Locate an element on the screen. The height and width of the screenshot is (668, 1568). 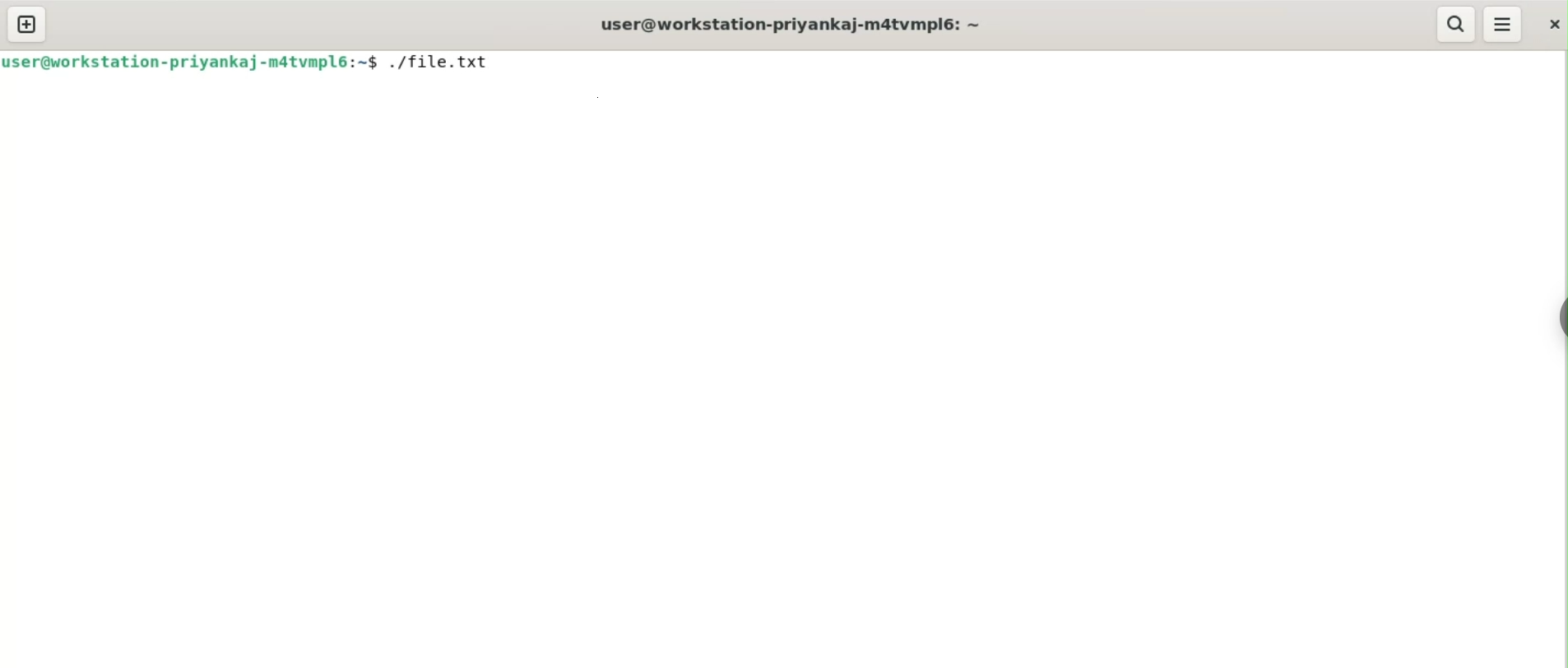
sidebar is located at coordinates (1560, 314).